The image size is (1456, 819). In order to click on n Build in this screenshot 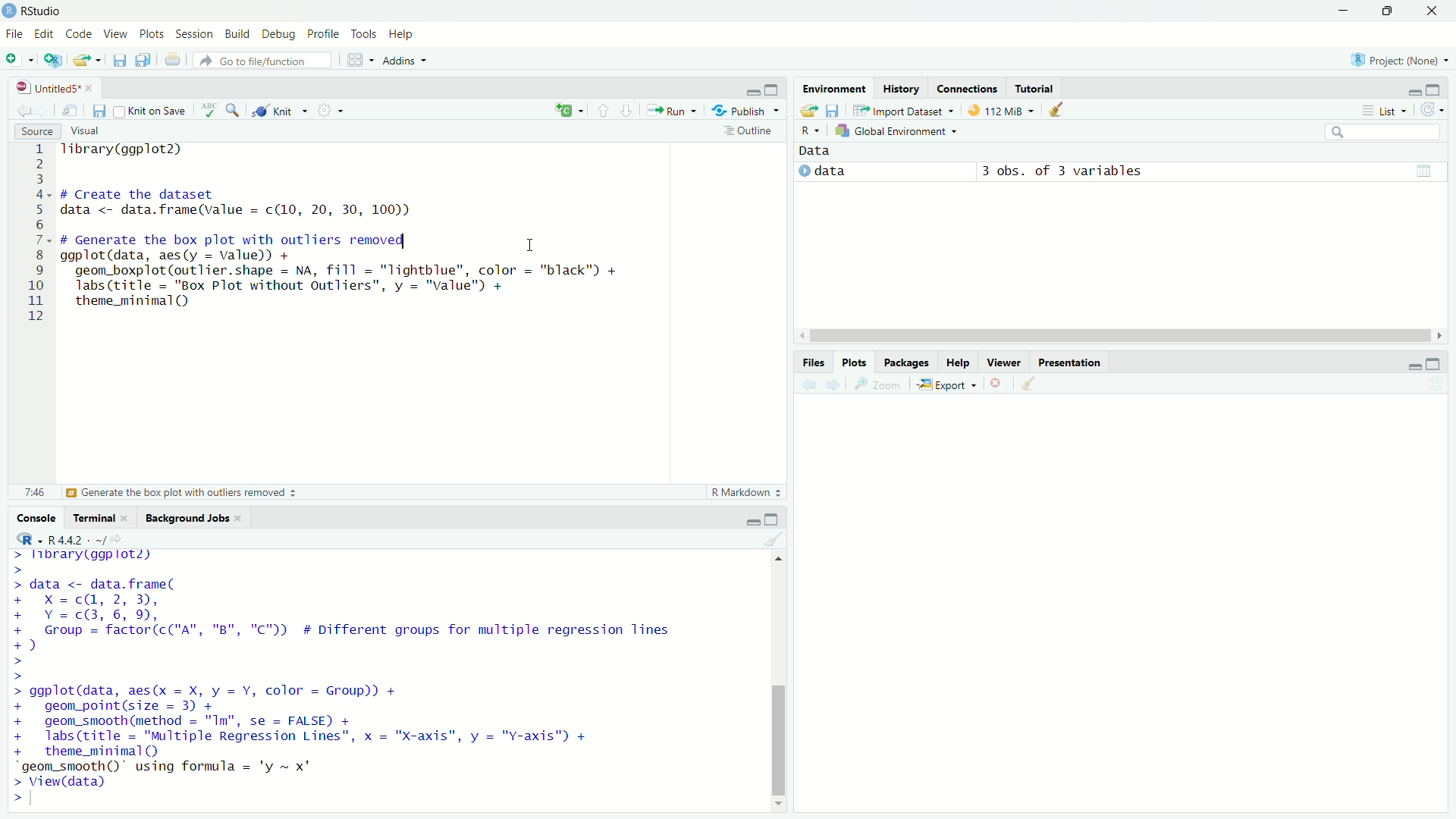, I will do `click(237, 35)`.